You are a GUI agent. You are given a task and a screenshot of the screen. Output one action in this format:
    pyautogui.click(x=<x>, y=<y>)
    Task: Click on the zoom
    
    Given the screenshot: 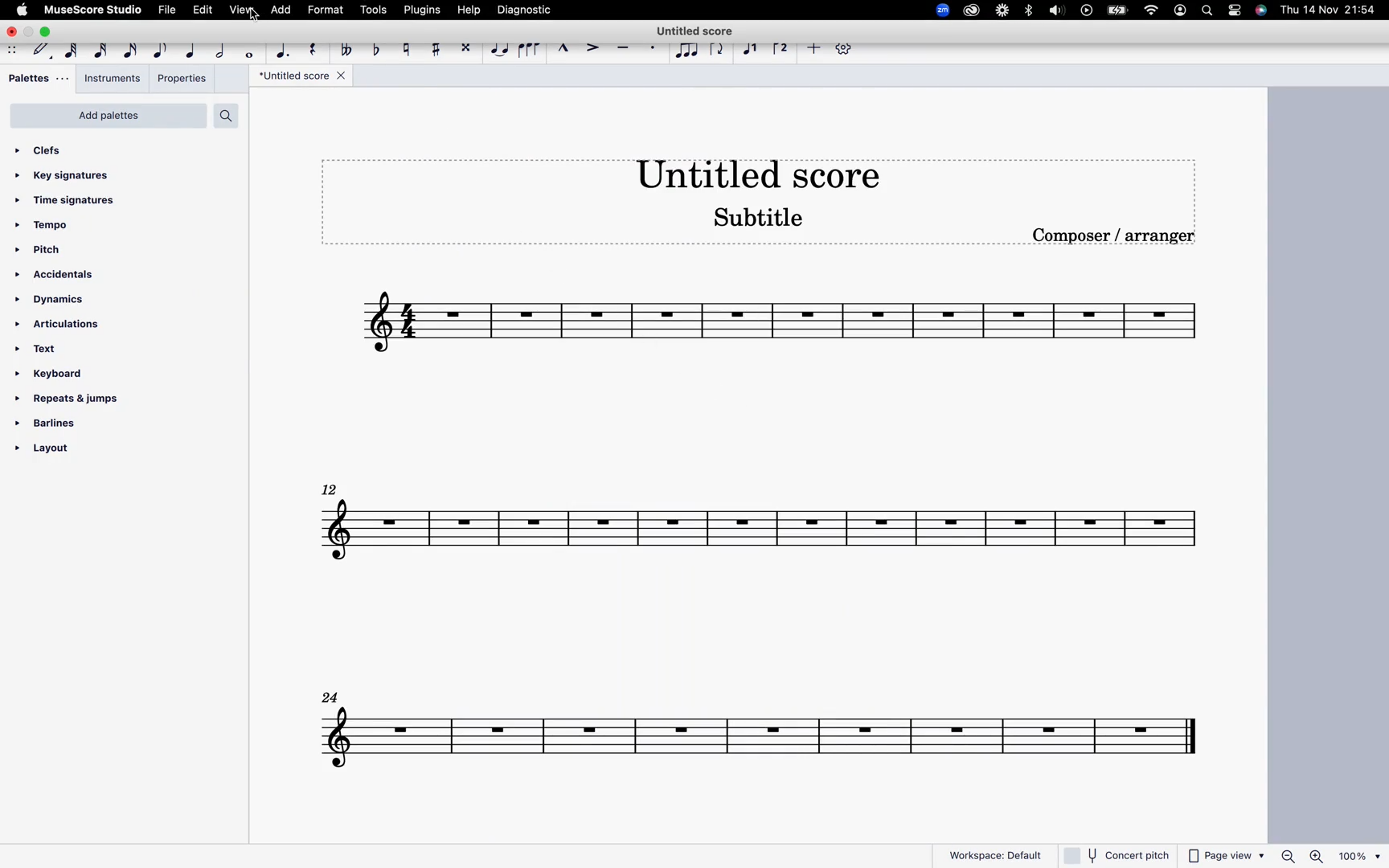 What is the action you would take?
    pyautogui.click(x=939, y=13)
    